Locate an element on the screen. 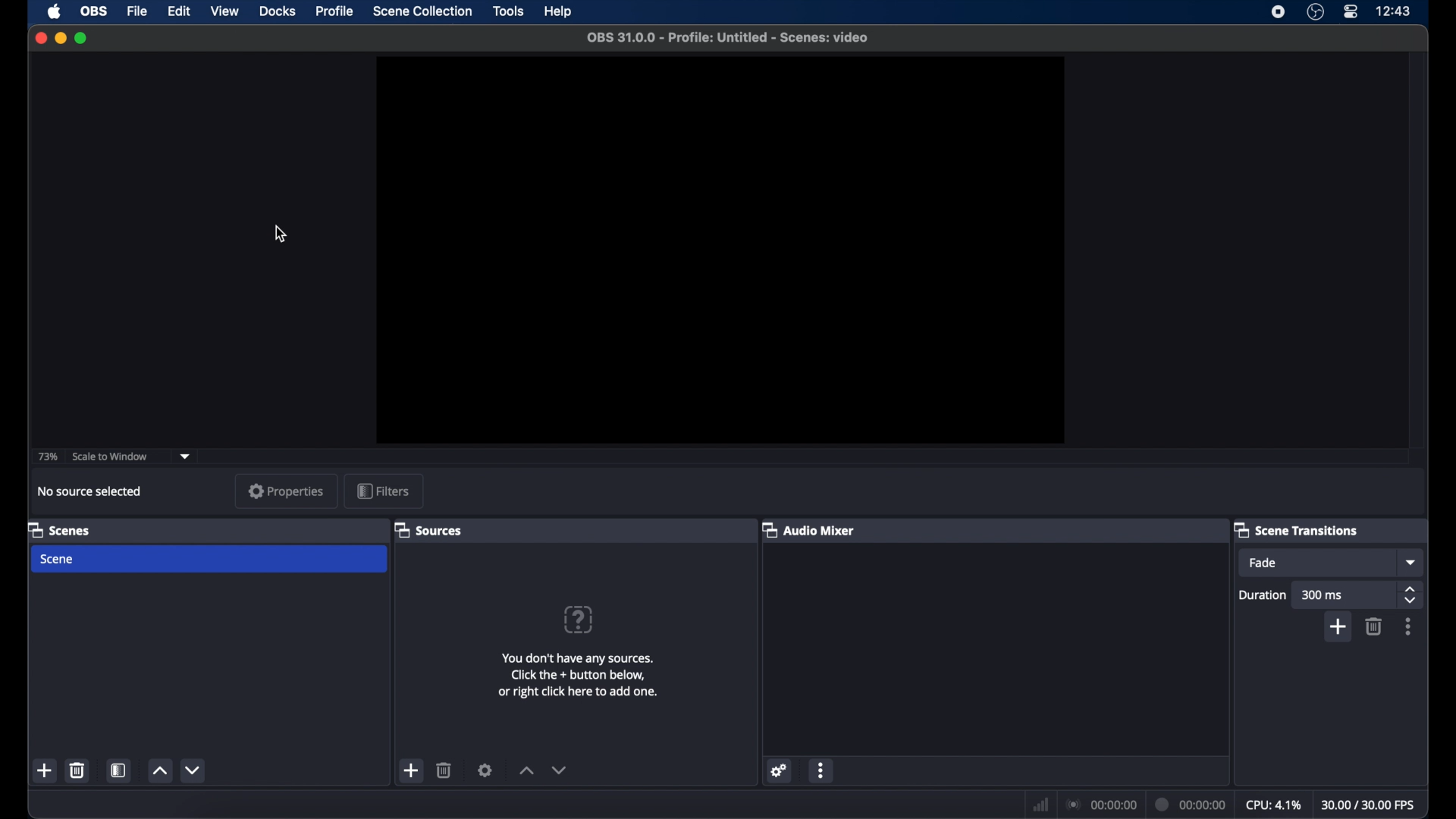 Image resolution: width=1456 pixels, height=819 pixels. more options is located at coordinates (821, 770).